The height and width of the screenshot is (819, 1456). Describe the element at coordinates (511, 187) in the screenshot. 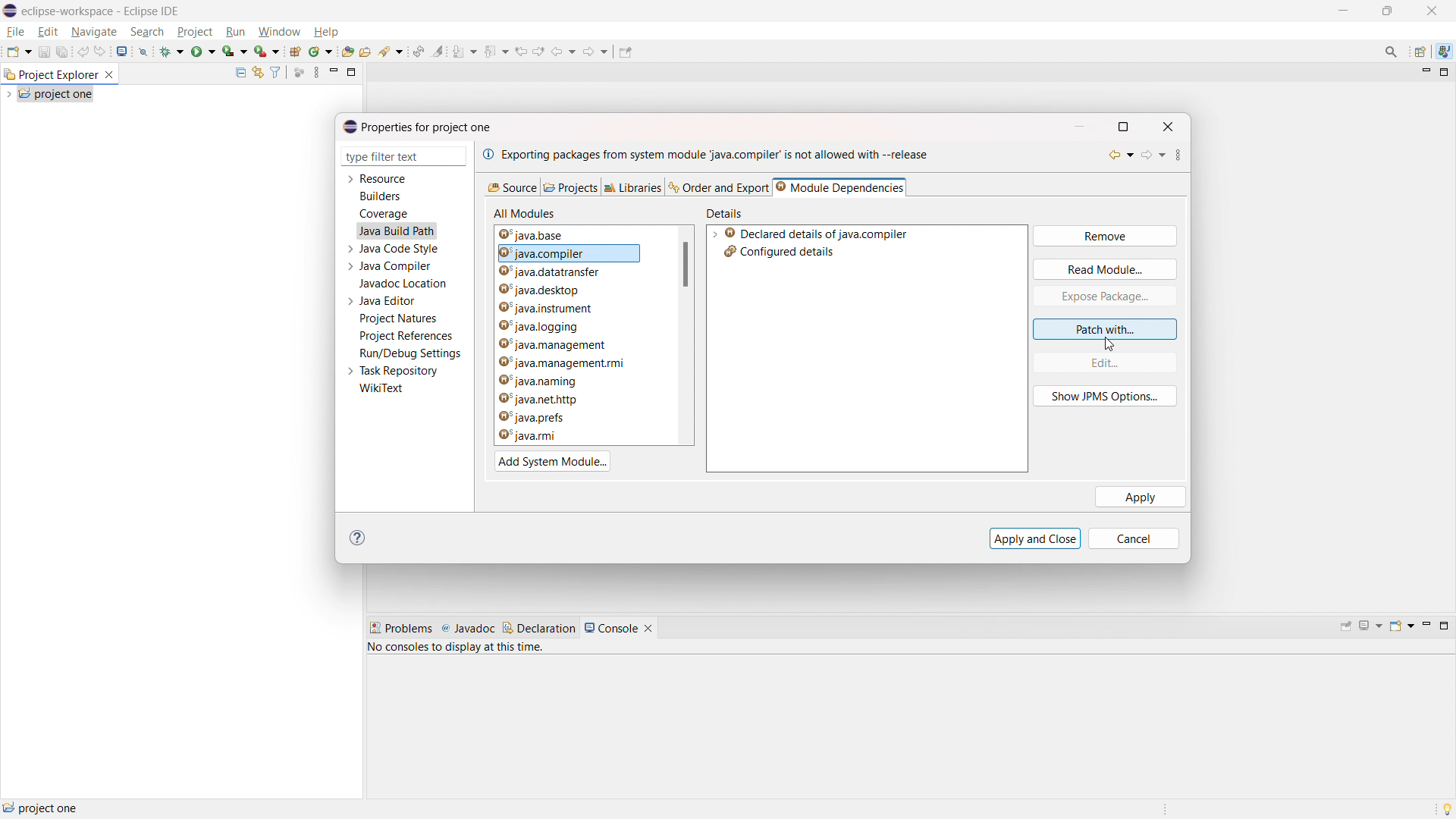

I see `source` at that location.